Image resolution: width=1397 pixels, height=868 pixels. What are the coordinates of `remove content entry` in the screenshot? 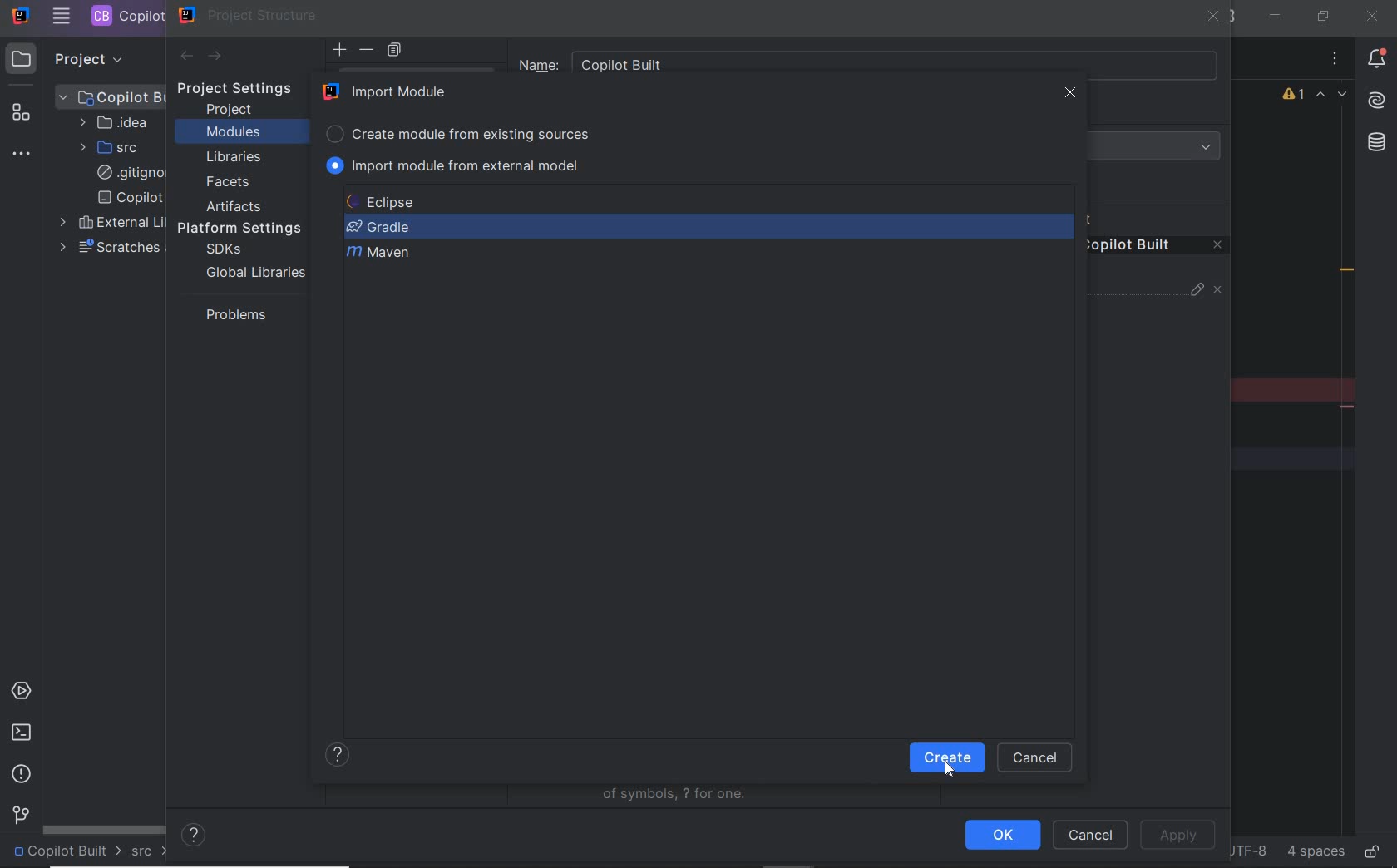 It's located at (1158, 248).